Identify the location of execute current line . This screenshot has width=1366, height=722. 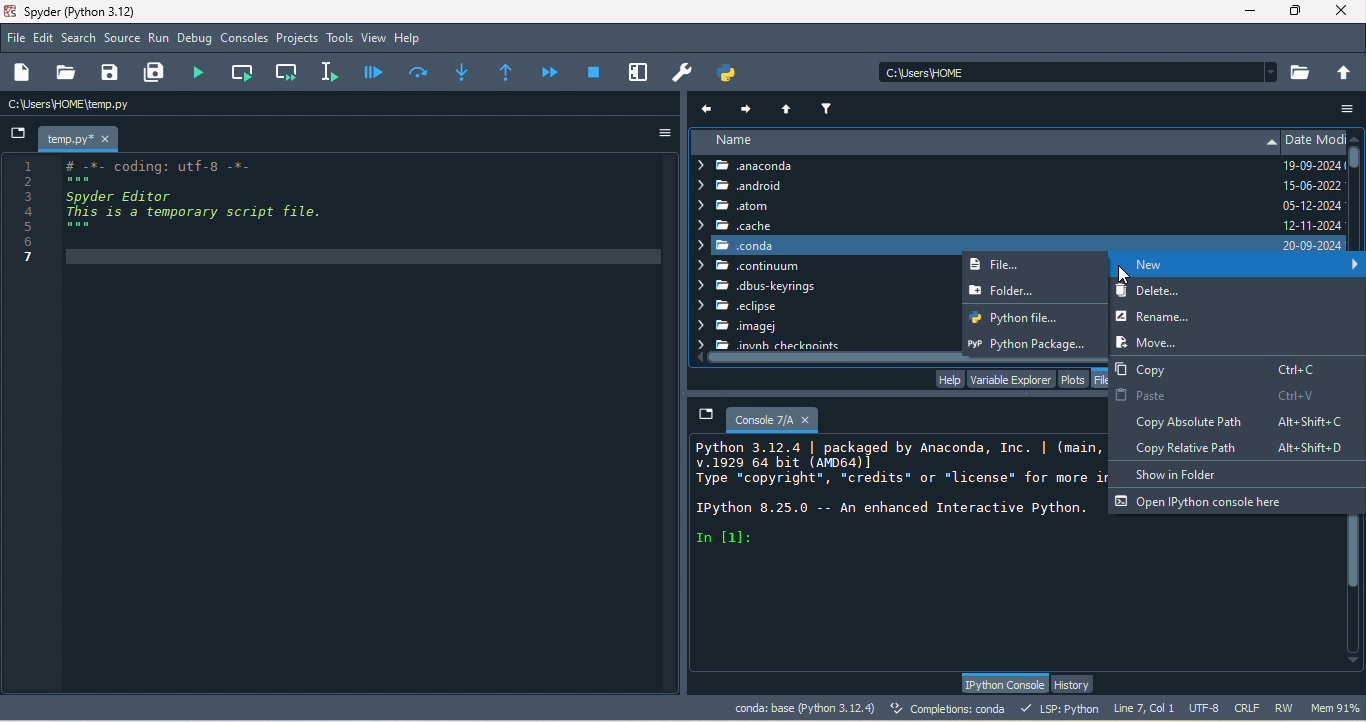
(420, 71).